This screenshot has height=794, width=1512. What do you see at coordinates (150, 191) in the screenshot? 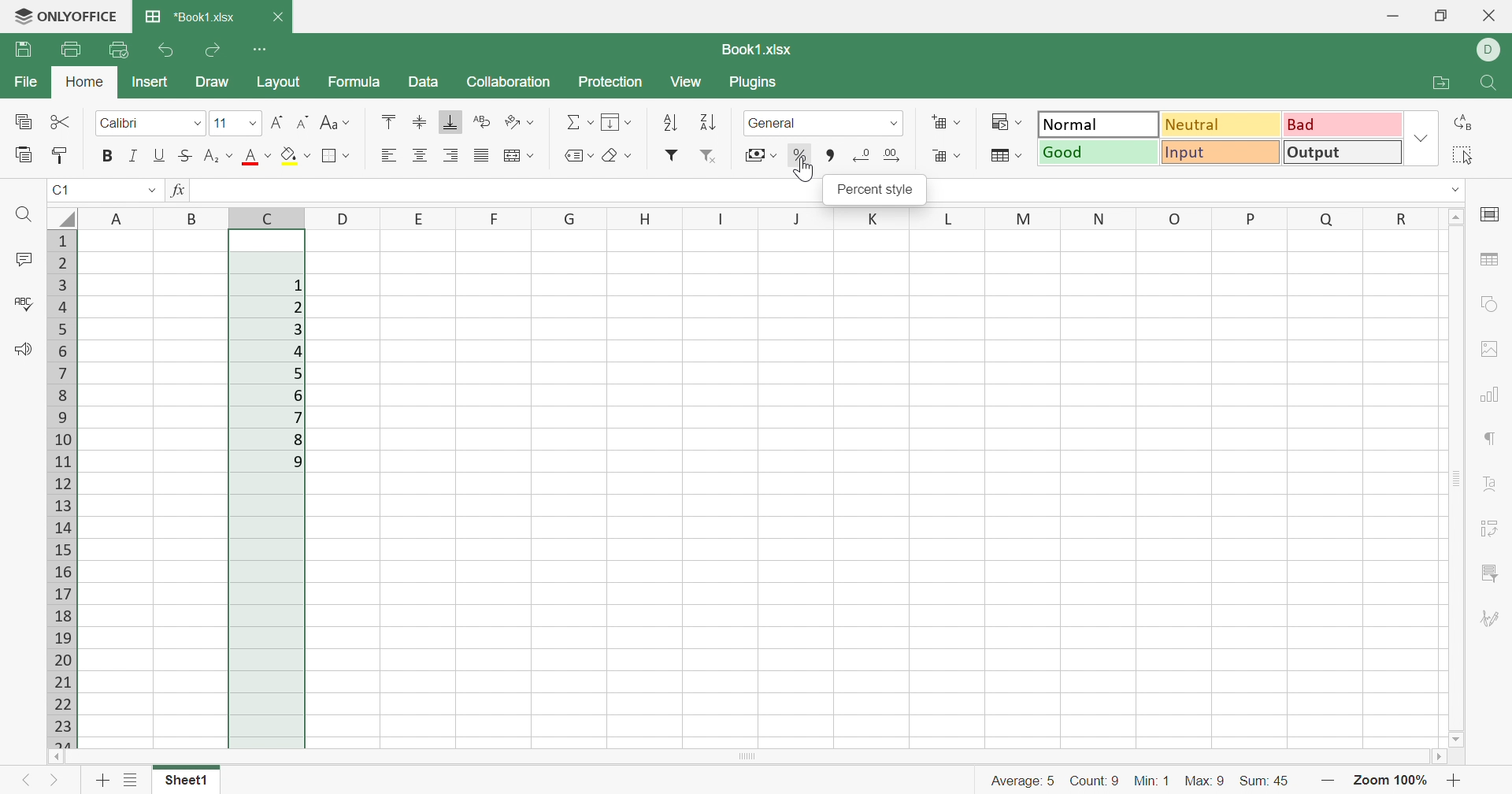
I see `Drop Down` at bounding box center [150, 191].